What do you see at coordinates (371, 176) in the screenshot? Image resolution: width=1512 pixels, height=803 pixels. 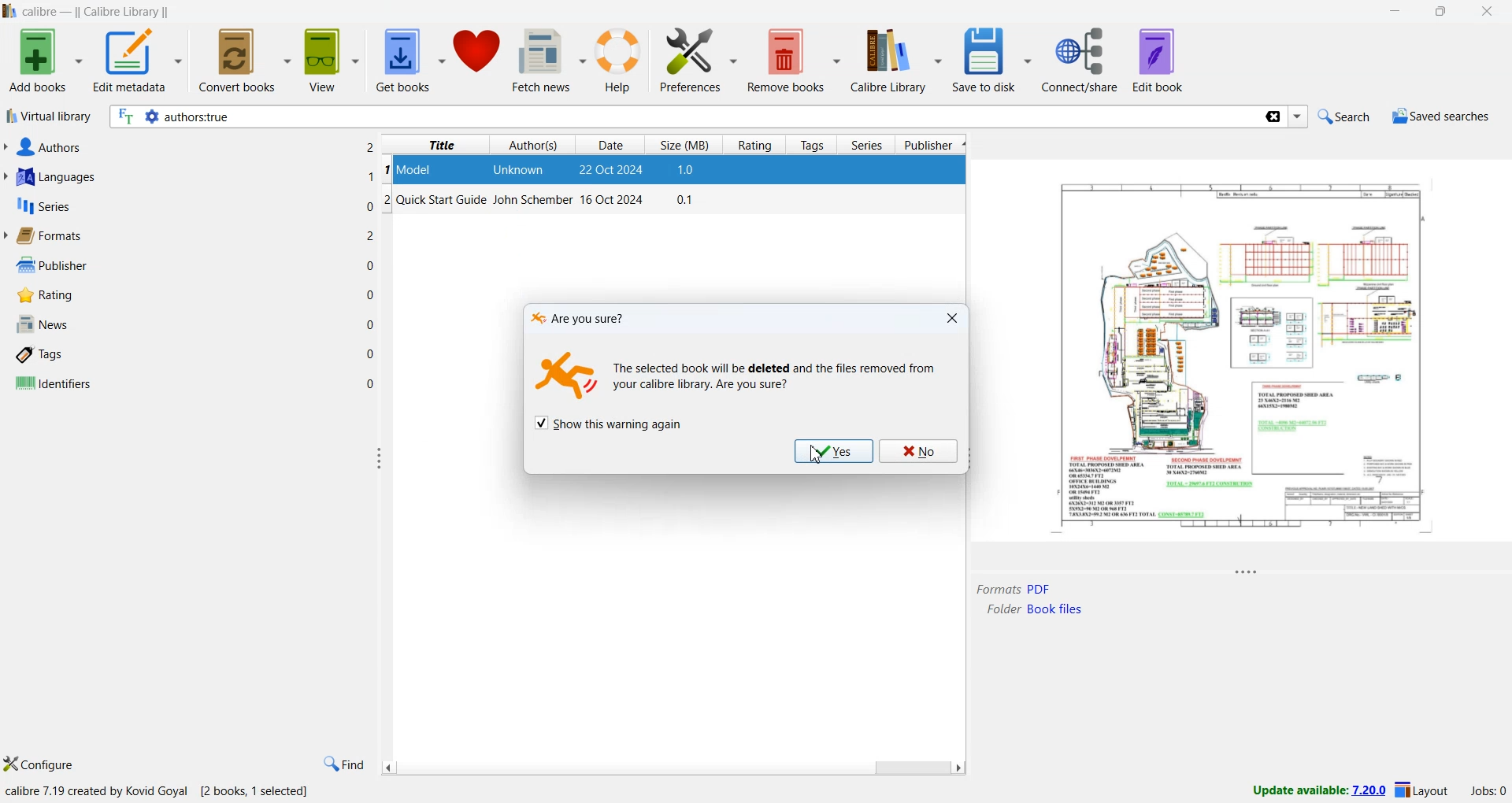 I see `1` at bounding box center [371, 176].